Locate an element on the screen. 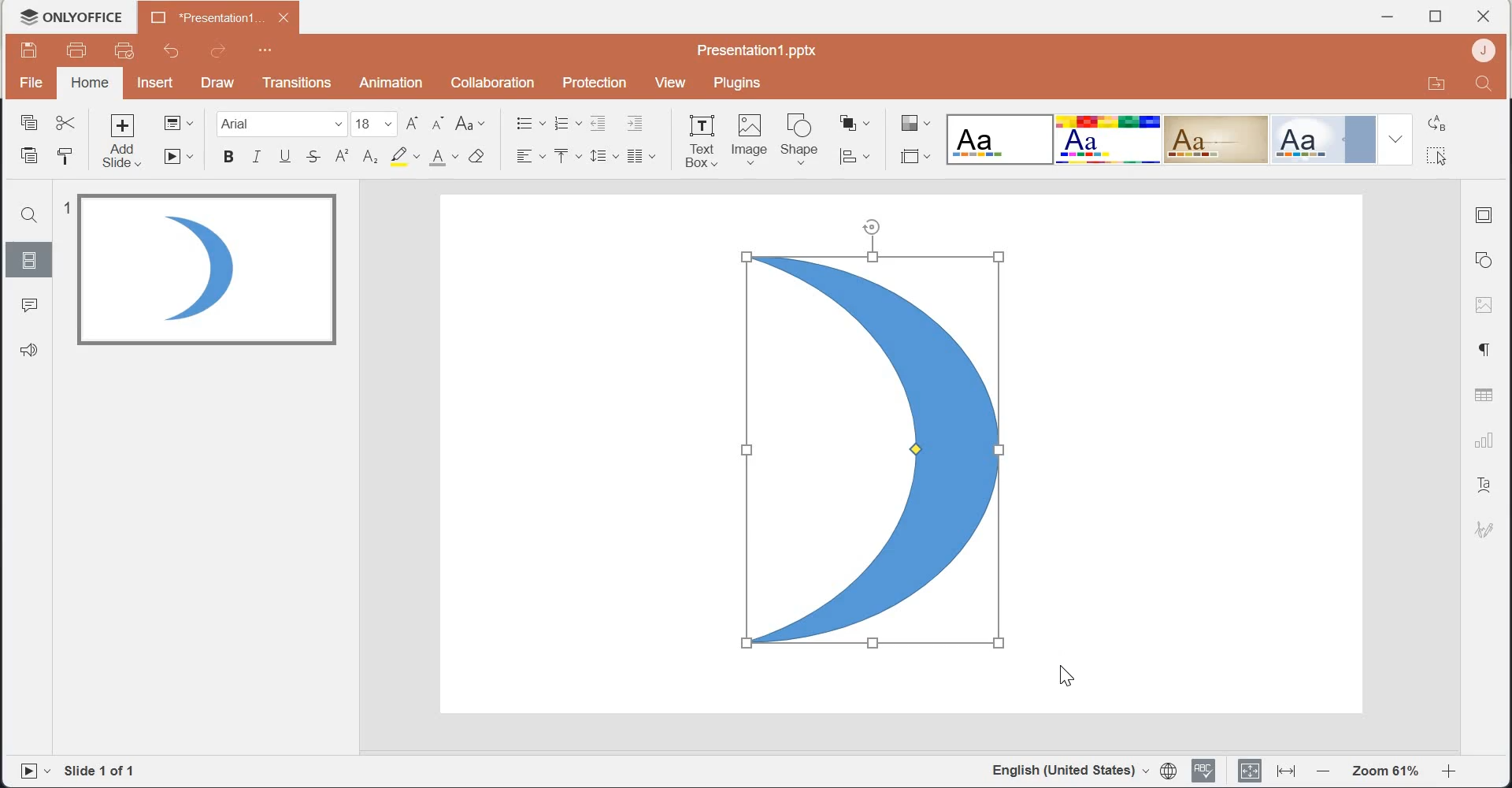 This screenshot has height=788, width=1512. home is located at coordinates (89, 84).